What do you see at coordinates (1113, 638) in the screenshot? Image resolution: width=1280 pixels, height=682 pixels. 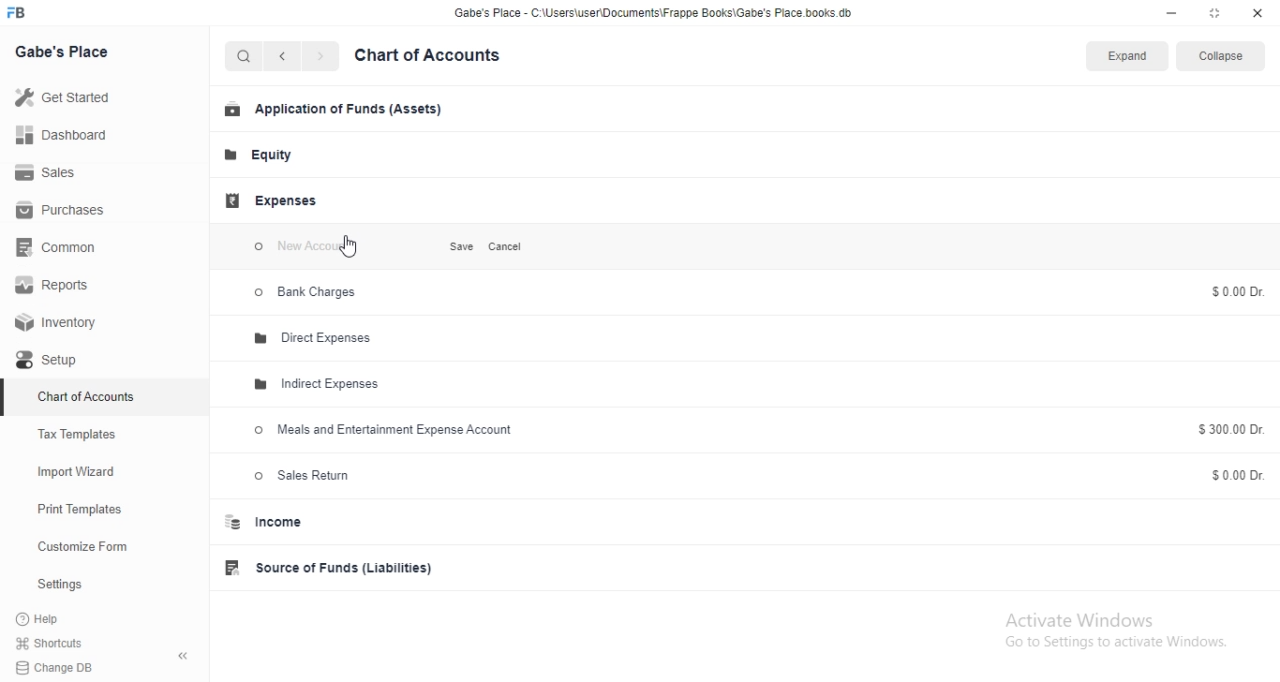 I see `Activate Windows
Go to Settings to activate Windows.` at bounding box center [1113, 638].